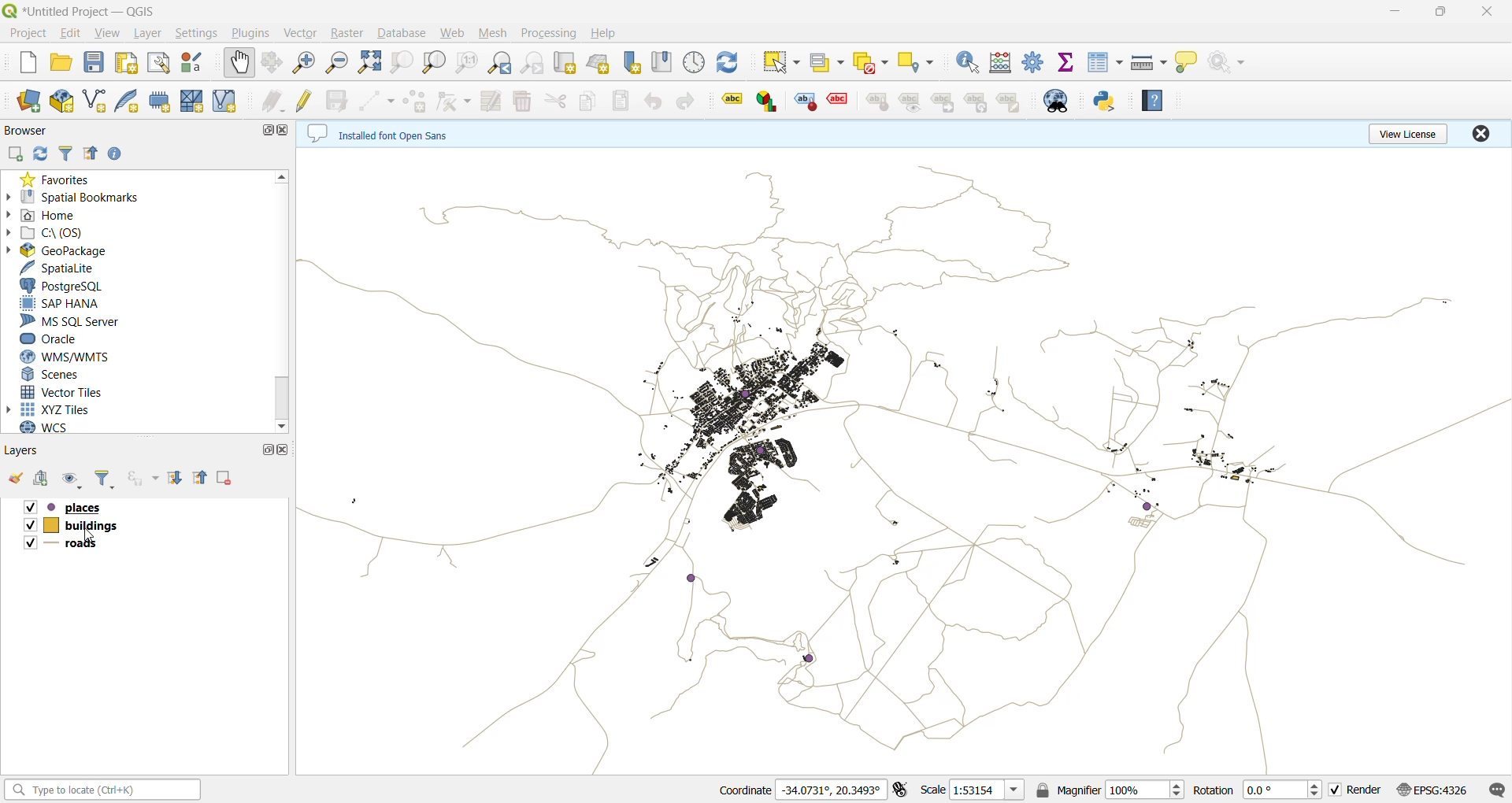  I want to click on close, so click(286, 447).